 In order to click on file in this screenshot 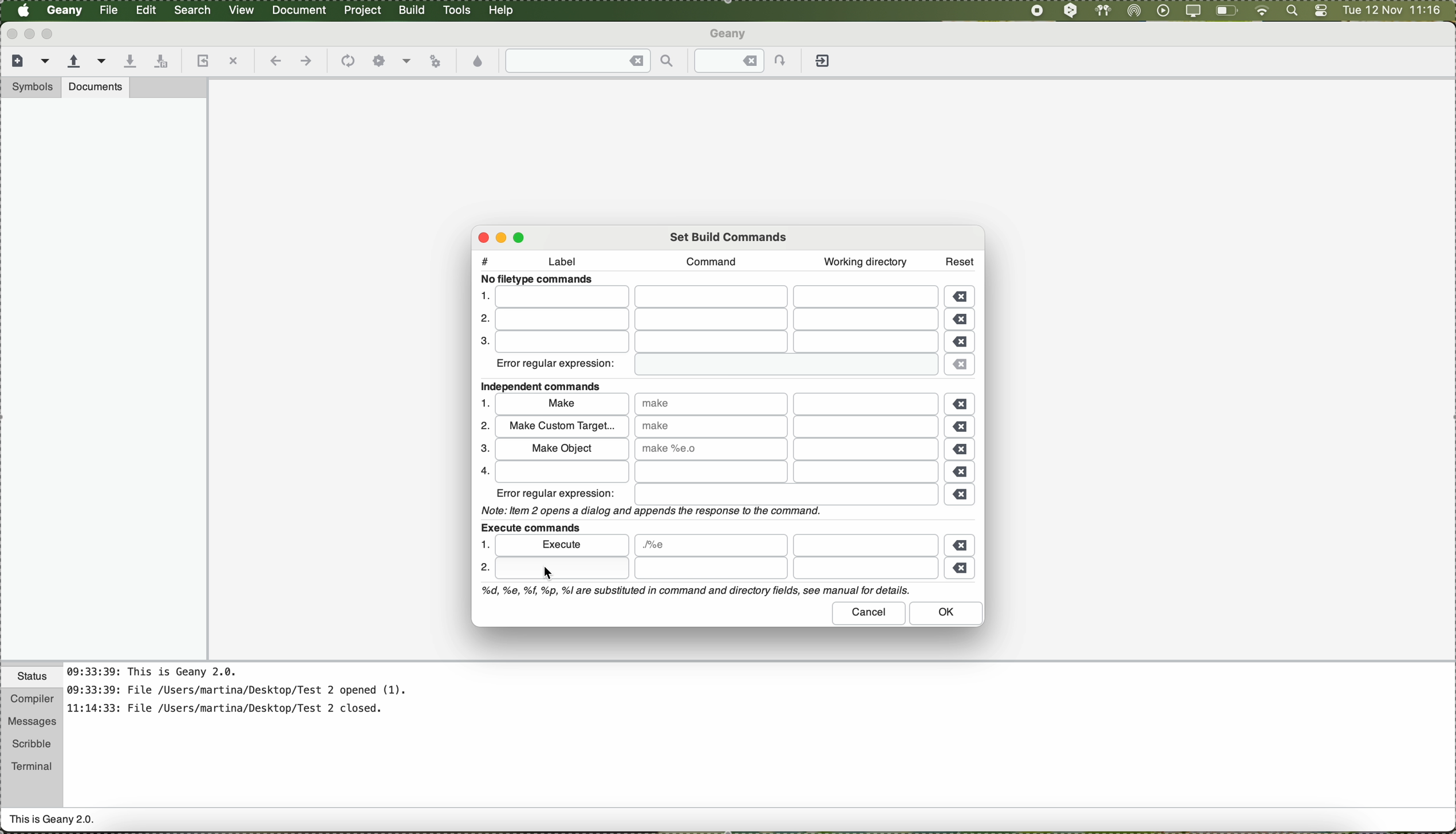, I will do `click(715, 321)`.